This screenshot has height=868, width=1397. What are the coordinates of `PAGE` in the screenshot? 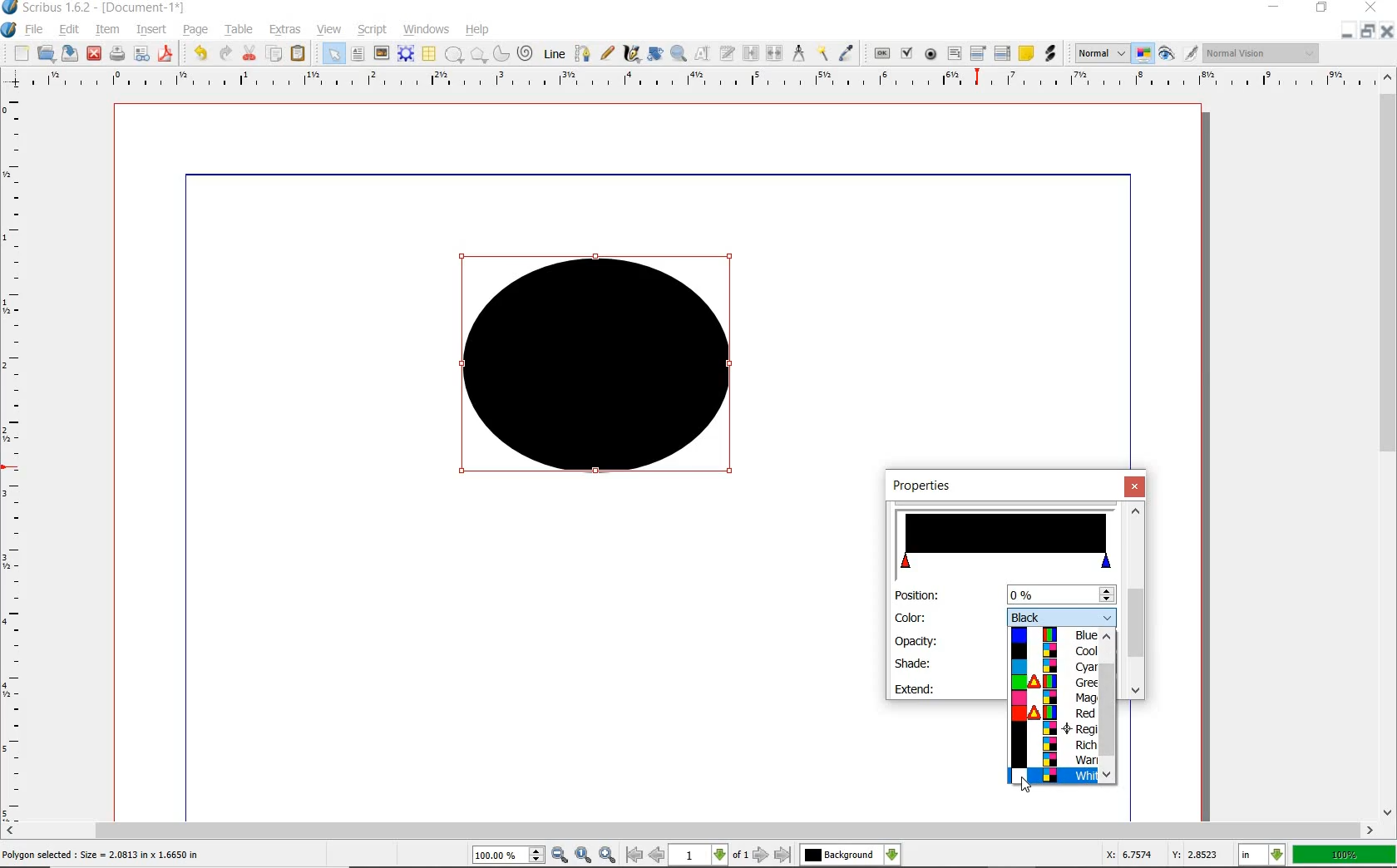 It's located at (193, 31).